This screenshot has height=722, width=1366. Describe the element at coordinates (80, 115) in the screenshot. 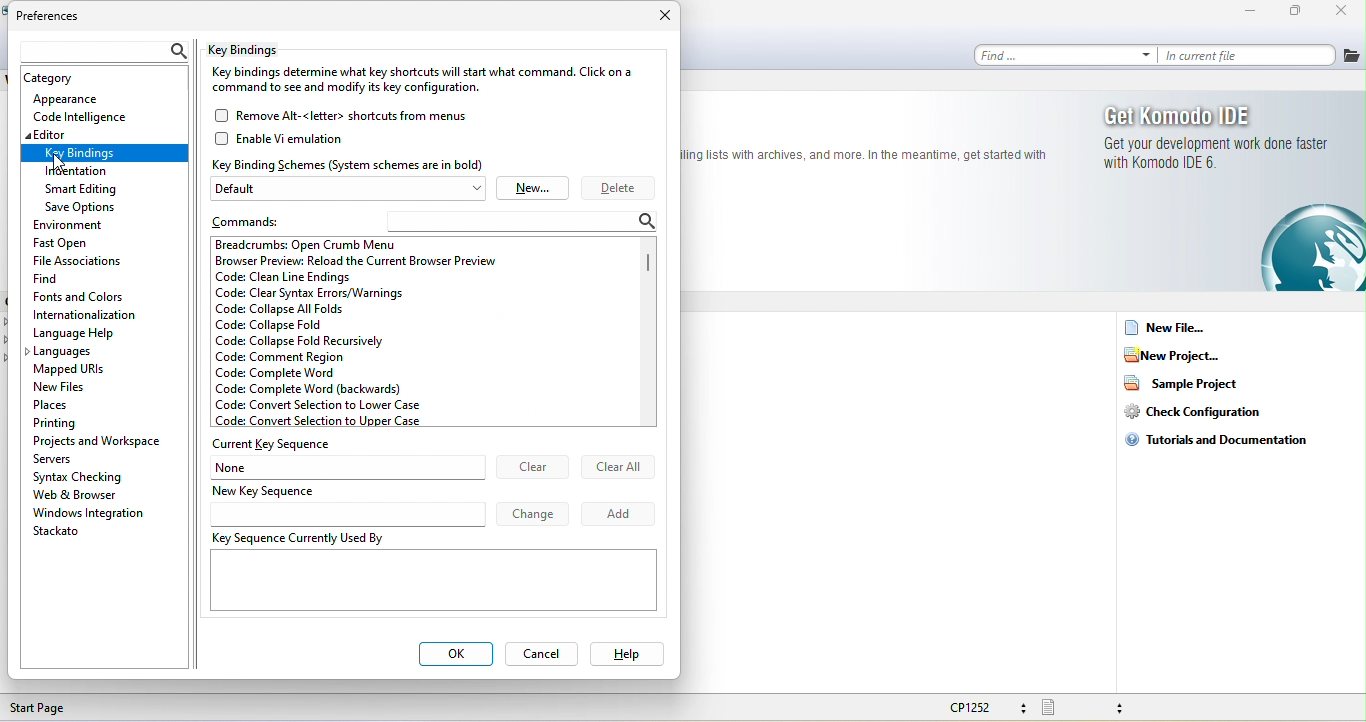

I see `code inteligence` at that location.